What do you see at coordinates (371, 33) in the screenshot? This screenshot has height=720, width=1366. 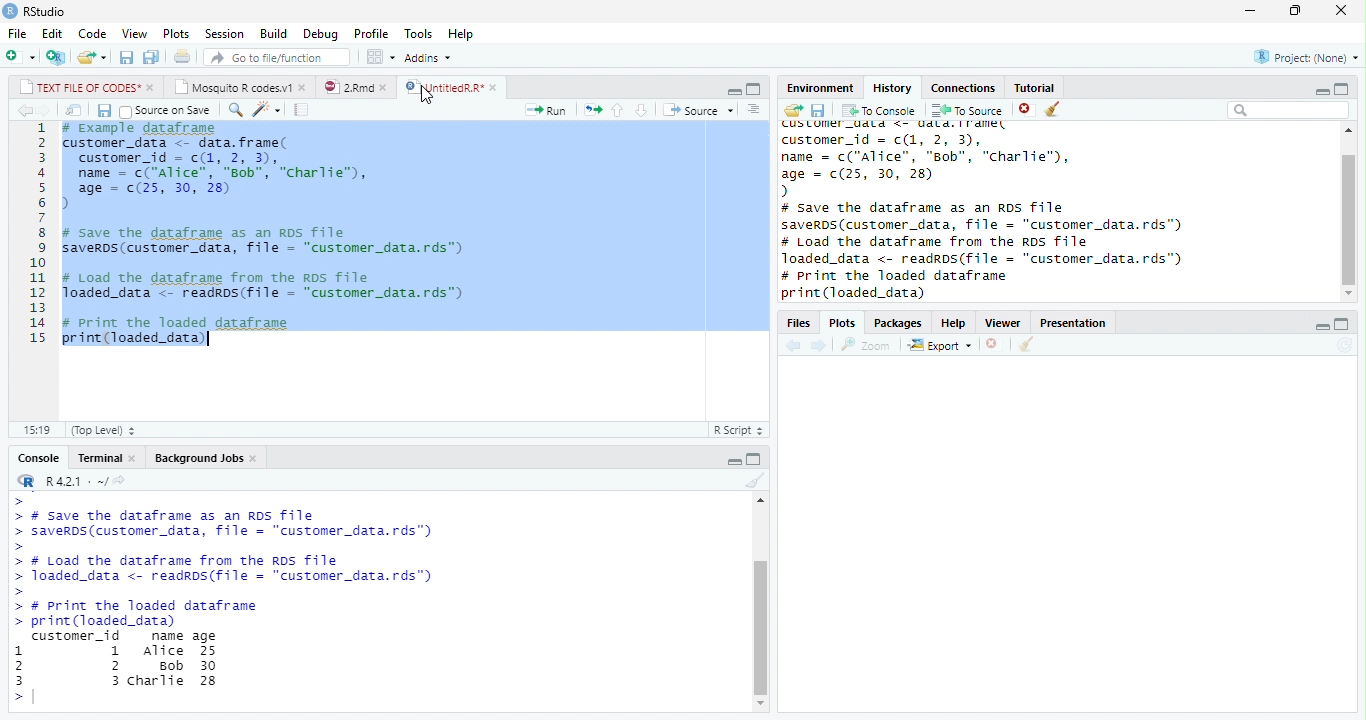 I see `Profile` at bounding box center [371, 33].